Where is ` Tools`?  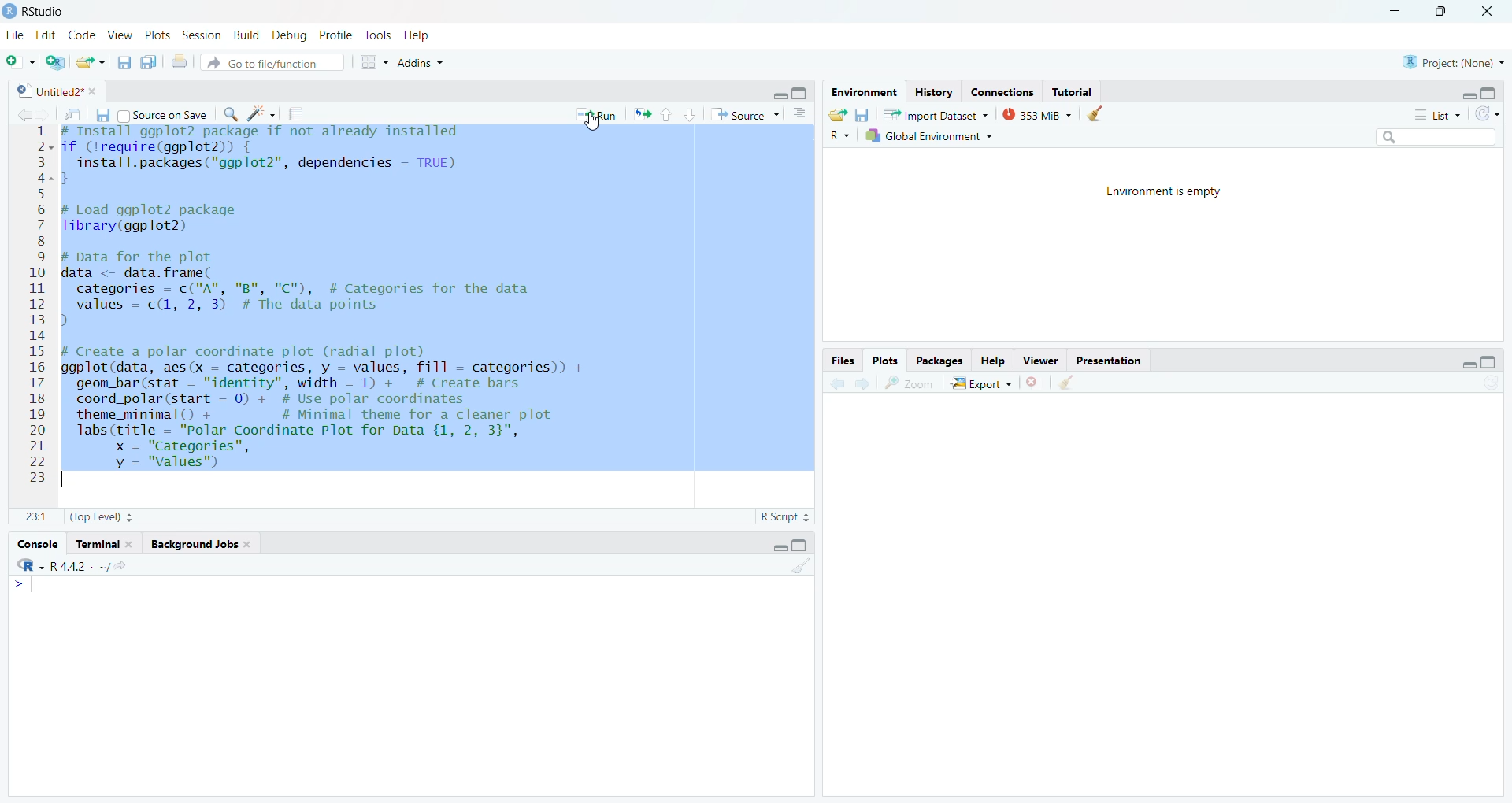  Tools is located at coordinates (376, 36).